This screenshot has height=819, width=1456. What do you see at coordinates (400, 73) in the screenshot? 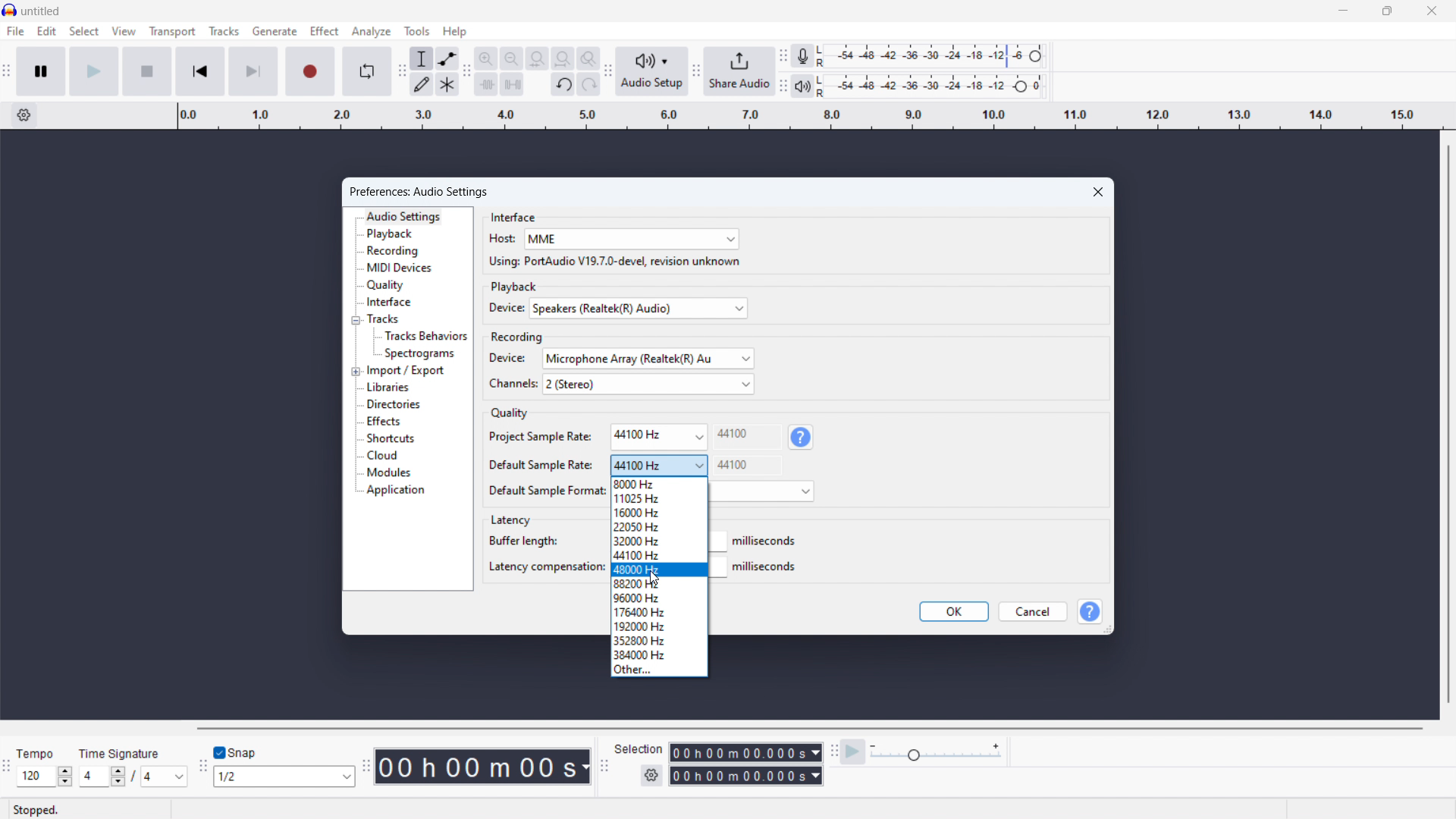
I see `tools toolbar` at bounding box center [400, 73].